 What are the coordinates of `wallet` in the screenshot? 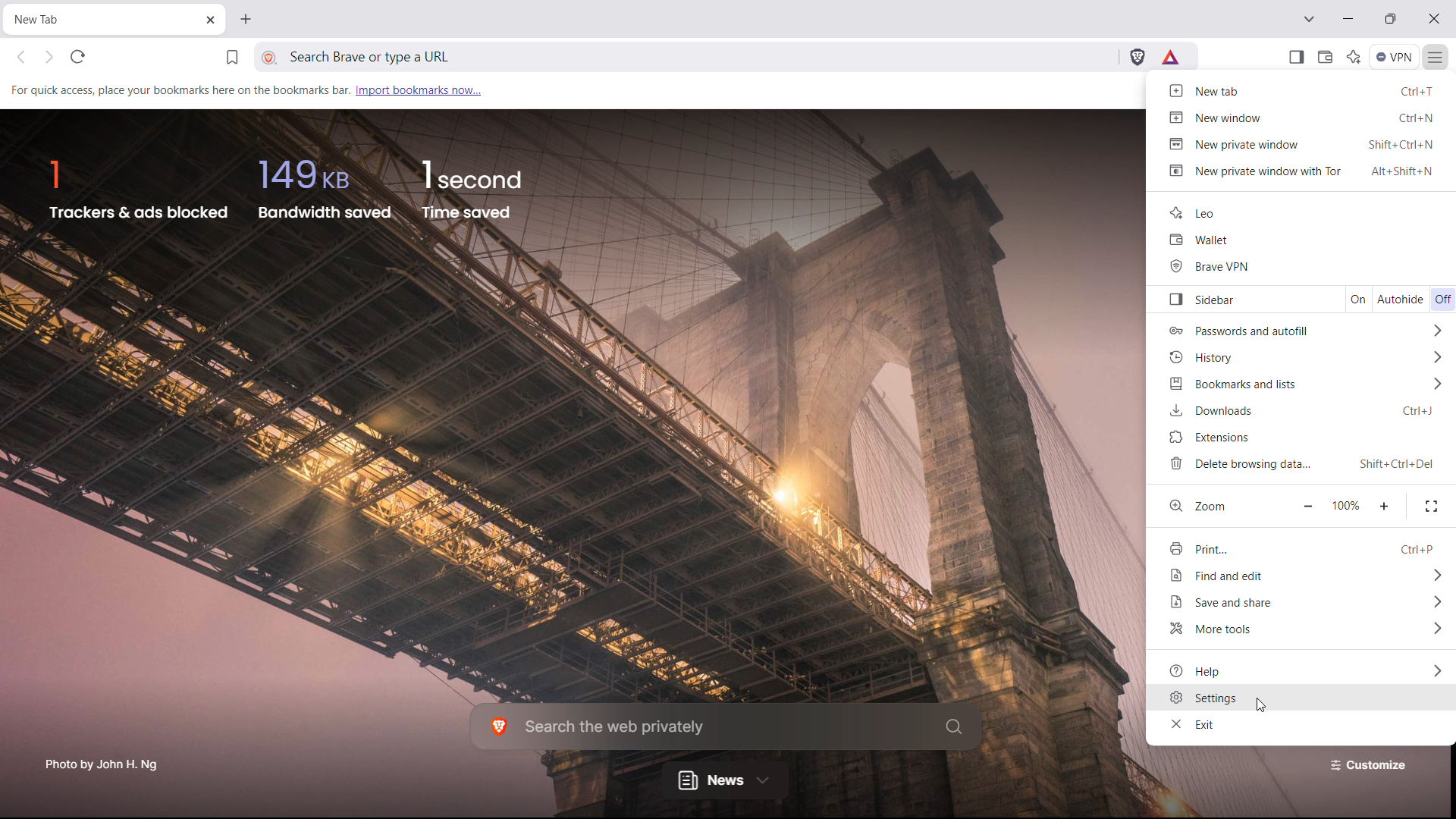 It's located at (1301, 239).